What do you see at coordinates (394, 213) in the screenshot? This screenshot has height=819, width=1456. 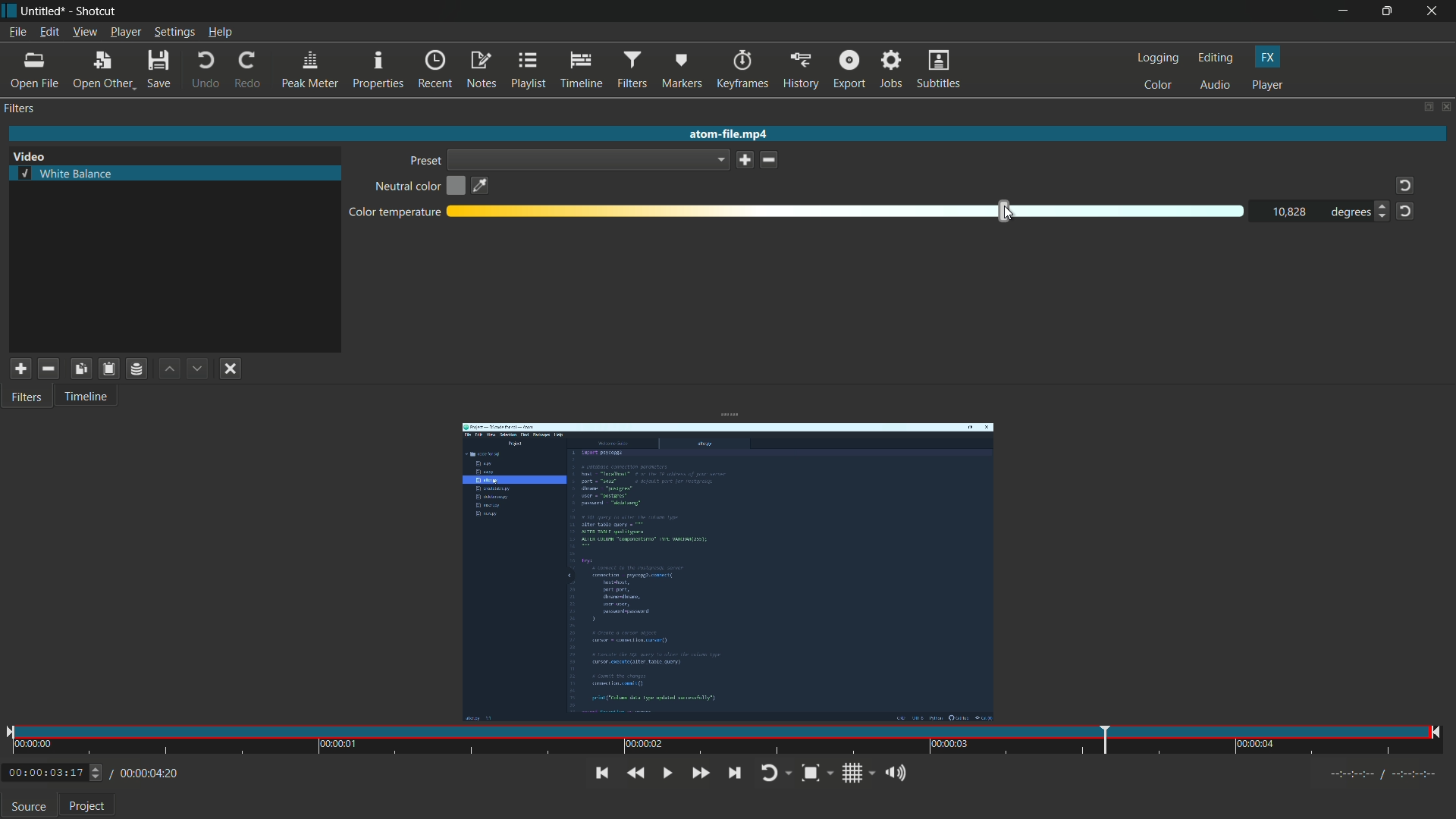 I see `color temperature` at bounding box center [394, 213].